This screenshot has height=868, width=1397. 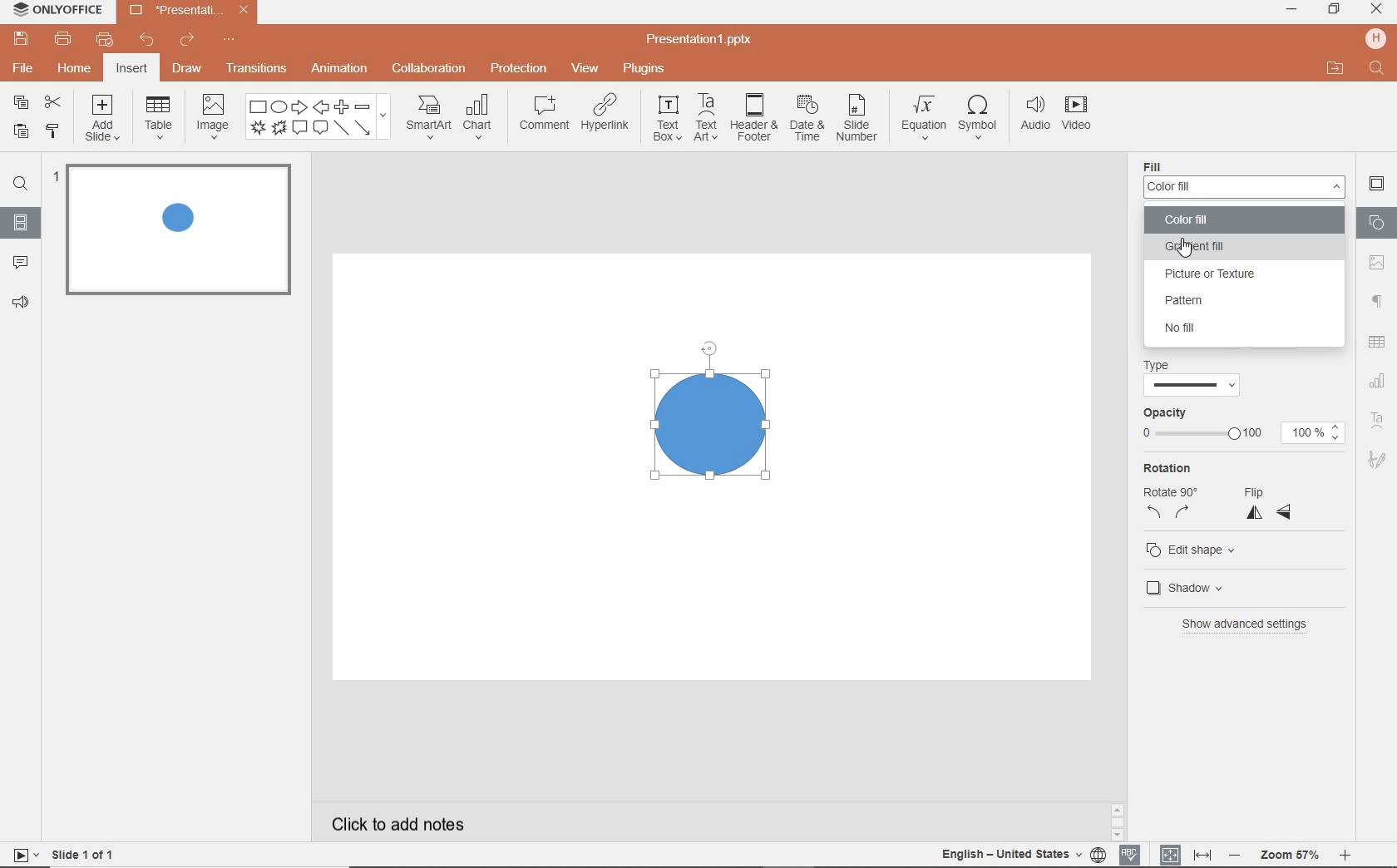 What do you see at coordinates (428, 118) in the screenshot?
I see `smart art` at bounding box center [428, 118].